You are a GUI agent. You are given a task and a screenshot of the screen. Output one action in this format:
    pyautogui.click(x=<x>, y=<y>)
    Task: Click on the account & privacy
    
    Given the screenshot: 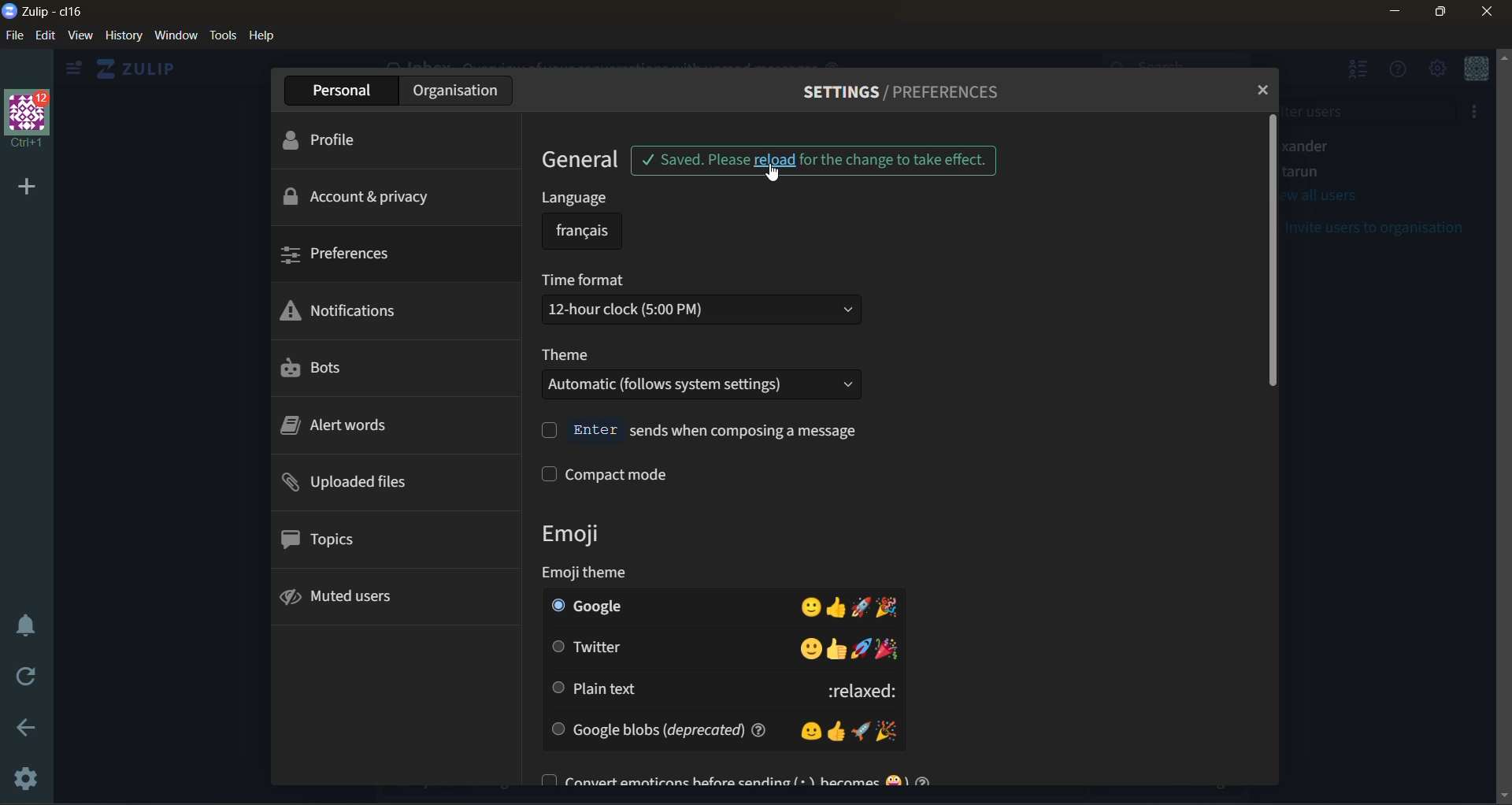 What is the action you would take?
    pyautogui.click(x=360, y=197)
    